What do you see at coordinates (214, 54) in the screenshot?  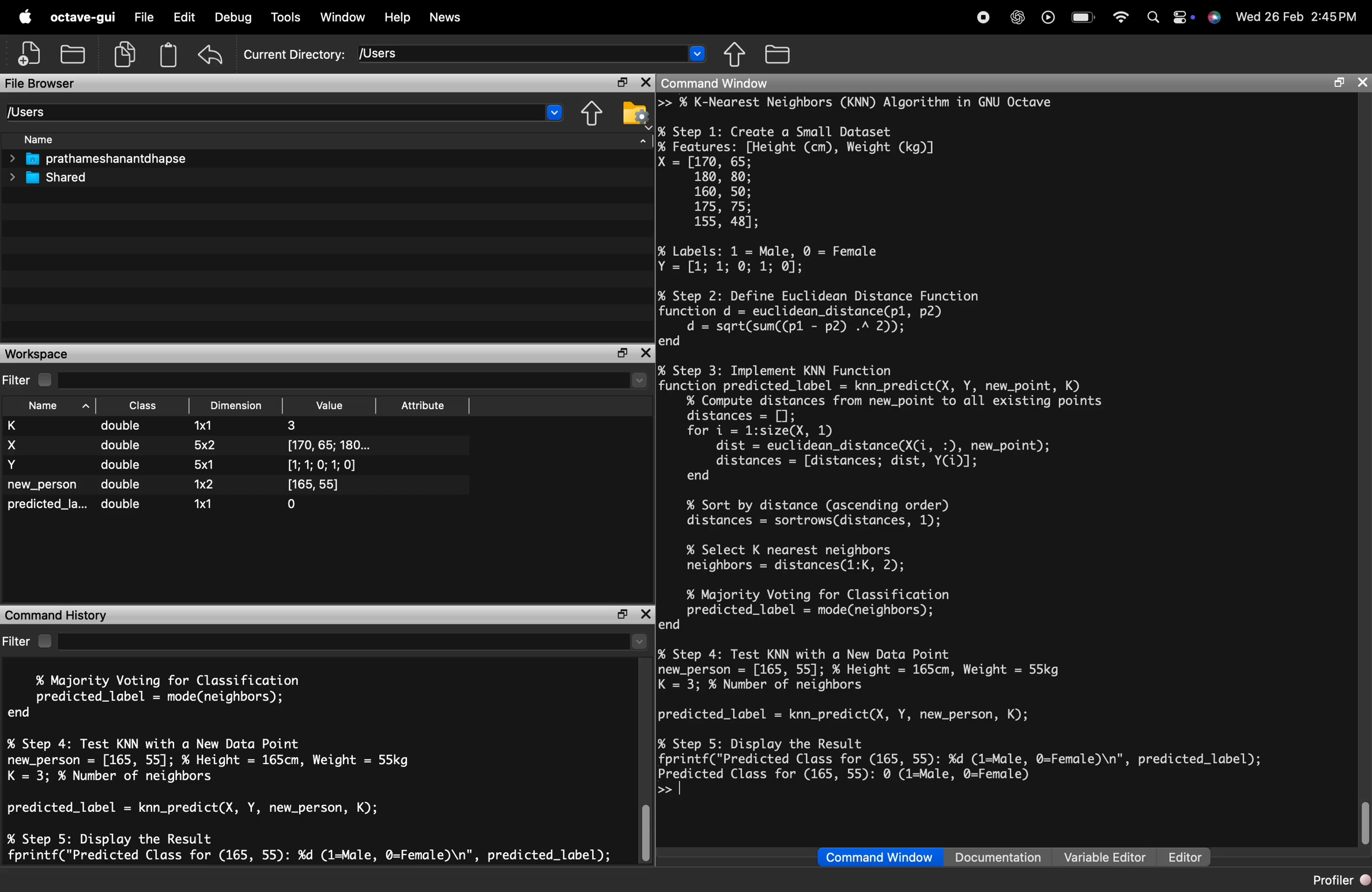 I see `redo` at bounding box center [214, 54].